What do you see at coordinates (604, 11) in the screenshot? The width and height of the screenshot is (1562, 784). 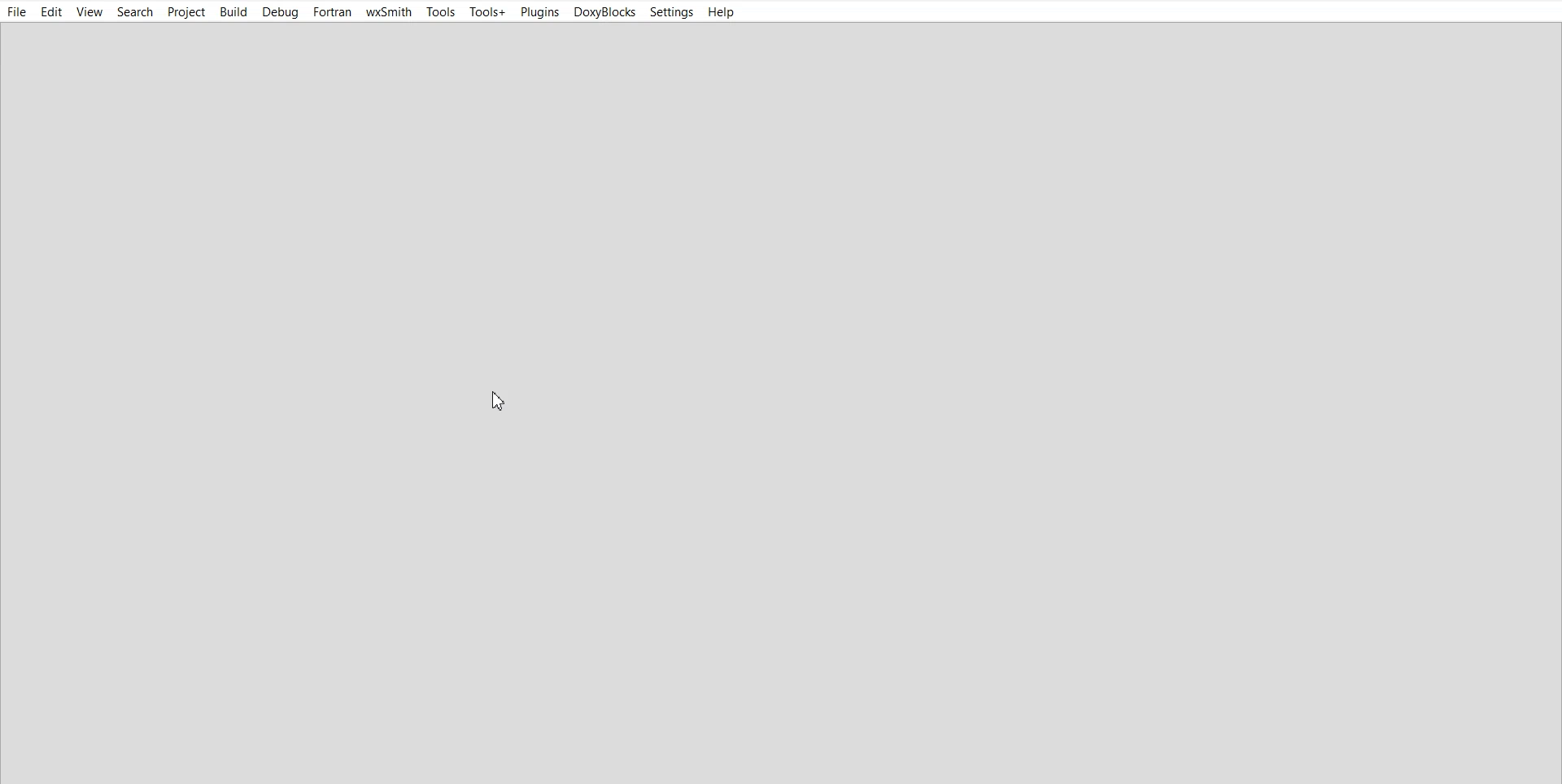 I see `DoxyBlocks` at bounding box center [604, 11].